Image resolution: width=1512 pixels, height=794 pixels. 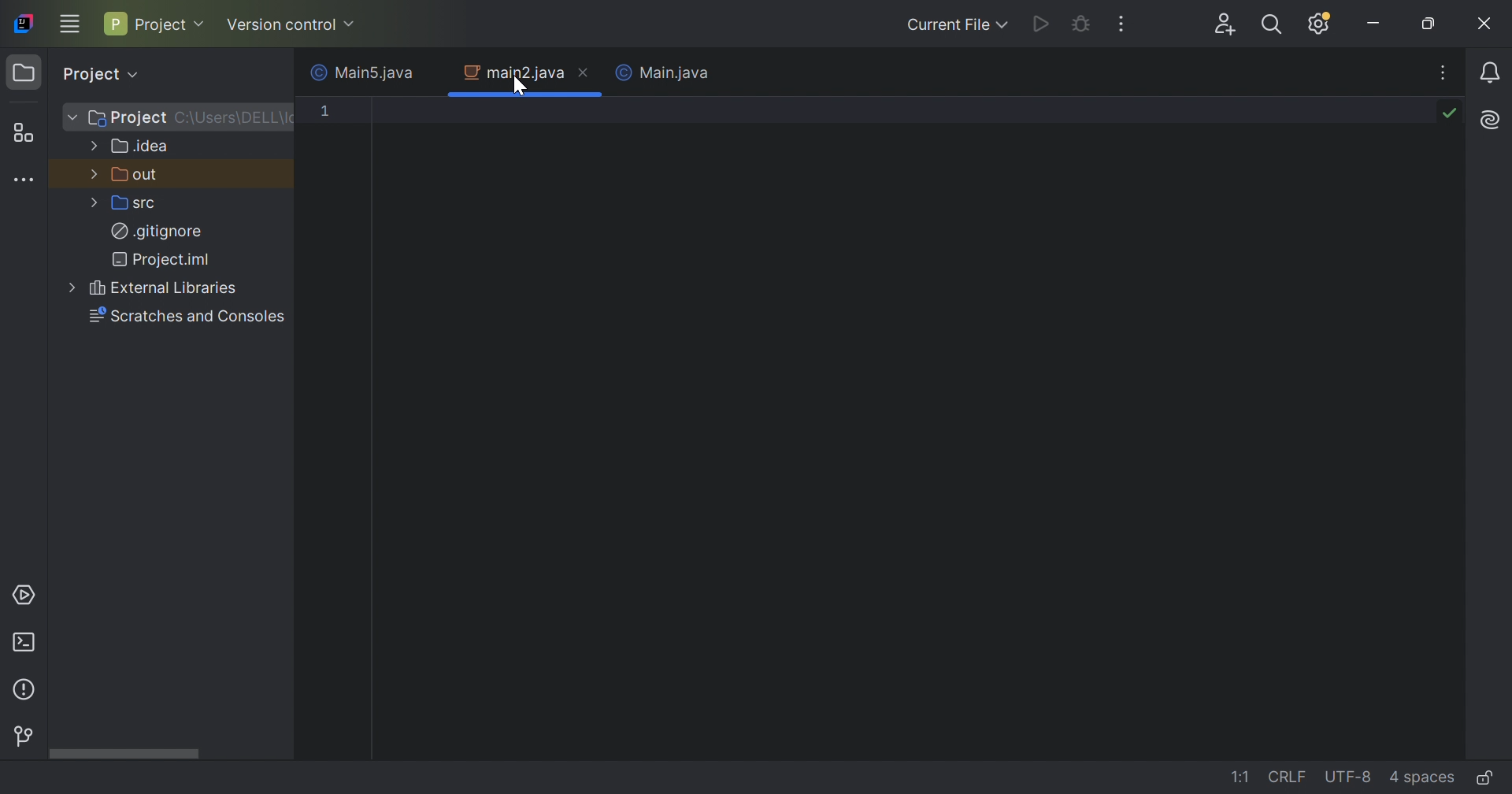 What do you see at coordinates (142, 147) in the screenshot?
I see `.idea` at bounding box center [142, 147].